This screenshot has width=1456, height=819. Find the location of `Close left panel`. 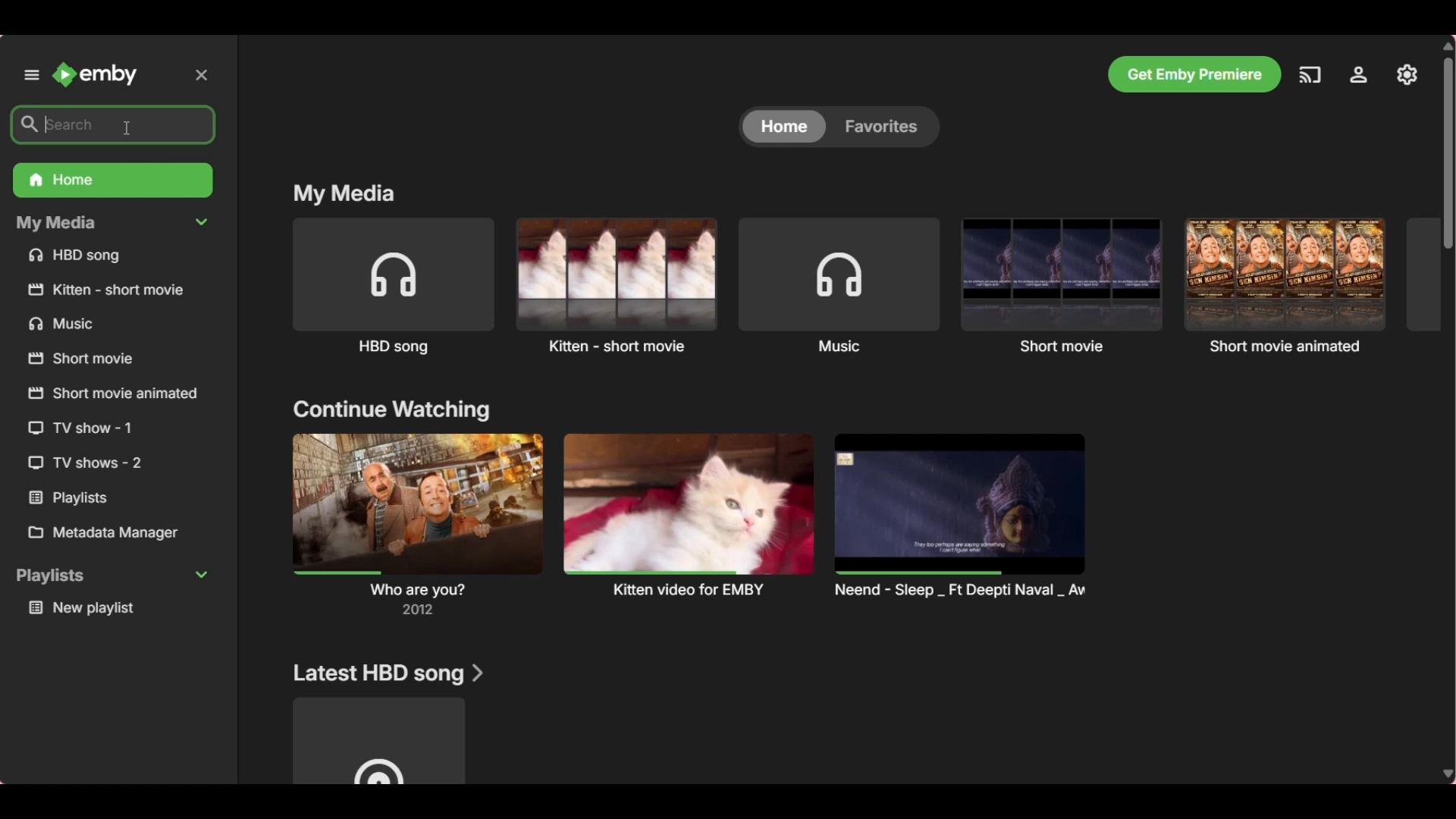

Close left panel is located at coordinates (201, 75).